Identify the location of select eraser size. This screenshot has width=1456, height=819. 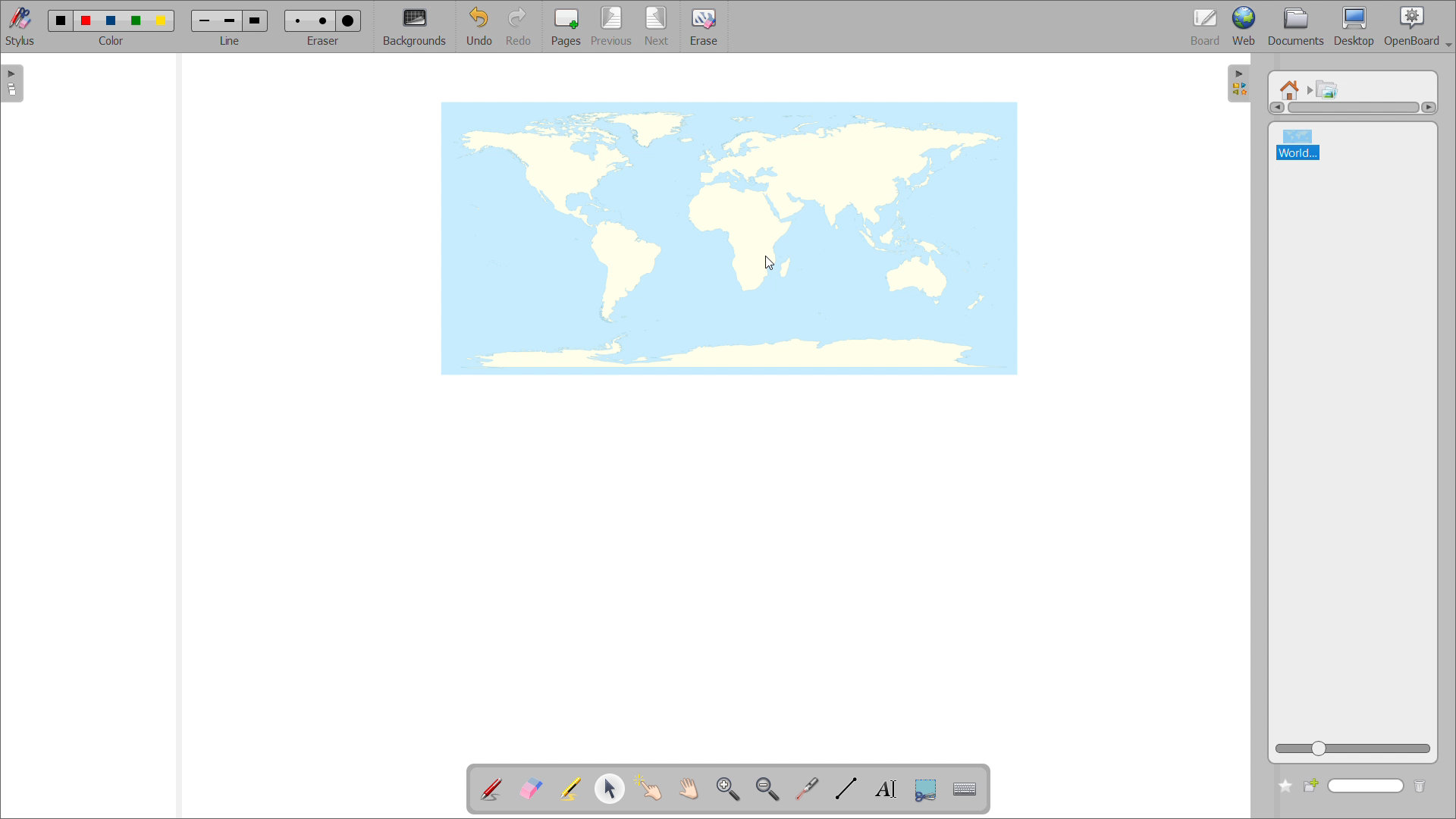
(324, 27).